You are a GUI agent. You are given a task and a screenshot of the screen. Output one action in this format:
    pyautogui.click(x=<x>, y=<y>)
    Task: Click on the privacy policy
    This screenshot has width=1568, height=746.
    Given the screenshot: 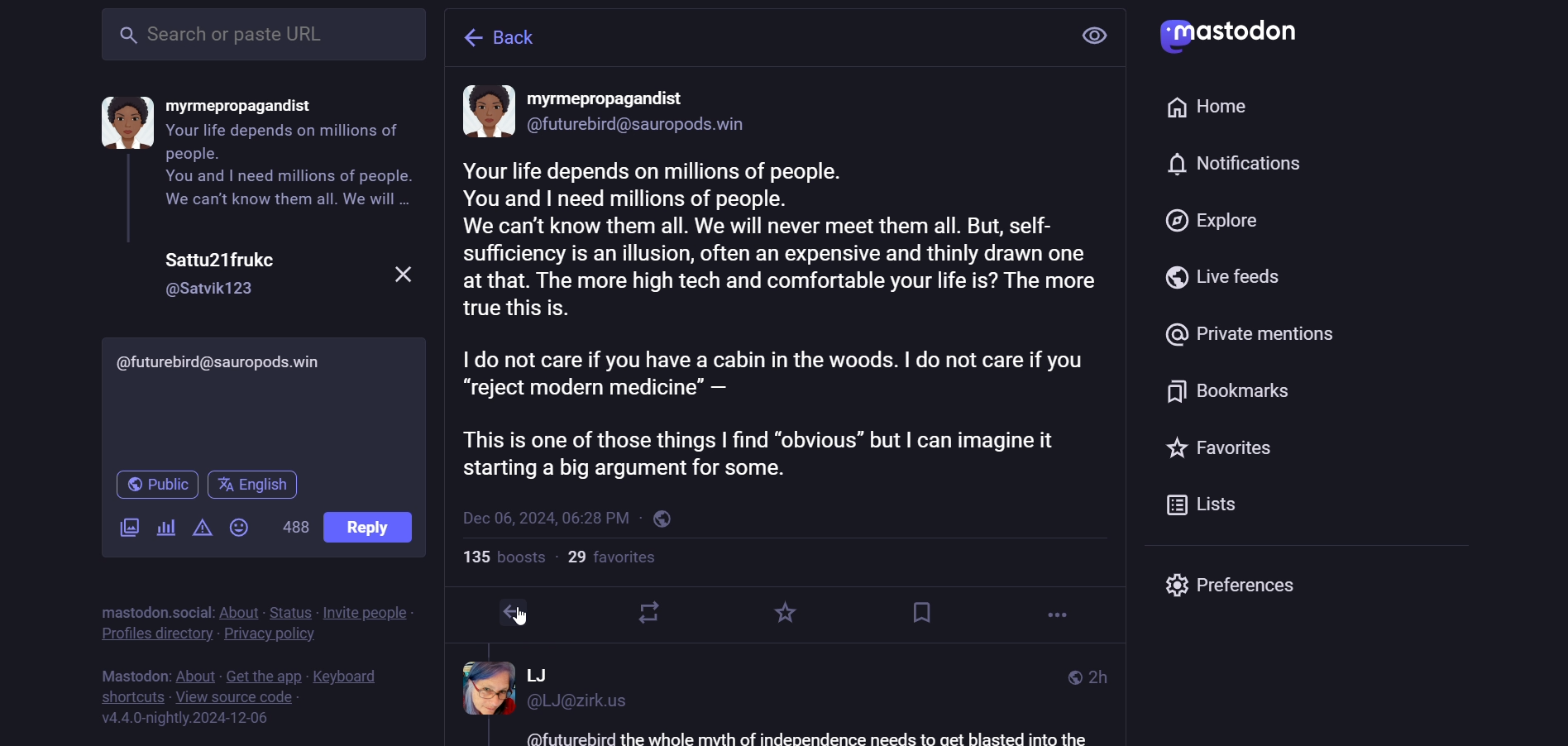 What is the action you would take?
    pyautogui.click(x=273, y=634)
    